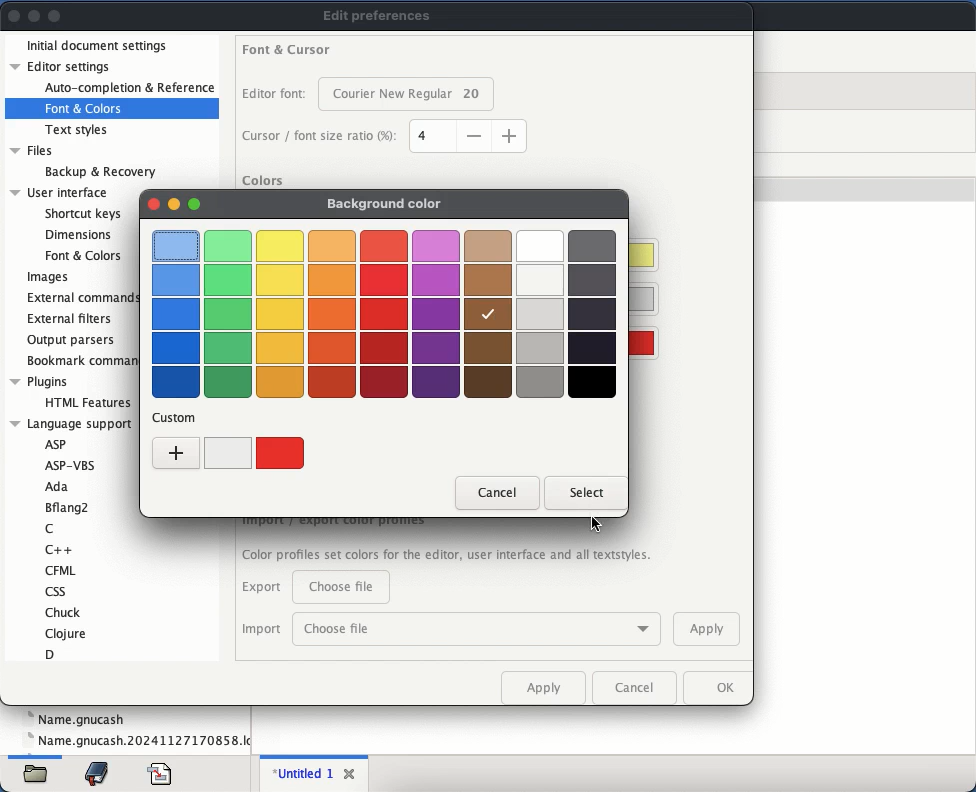 The width and height of the screenshot is (976, 792). I want to click on background color, so click(385, 207).